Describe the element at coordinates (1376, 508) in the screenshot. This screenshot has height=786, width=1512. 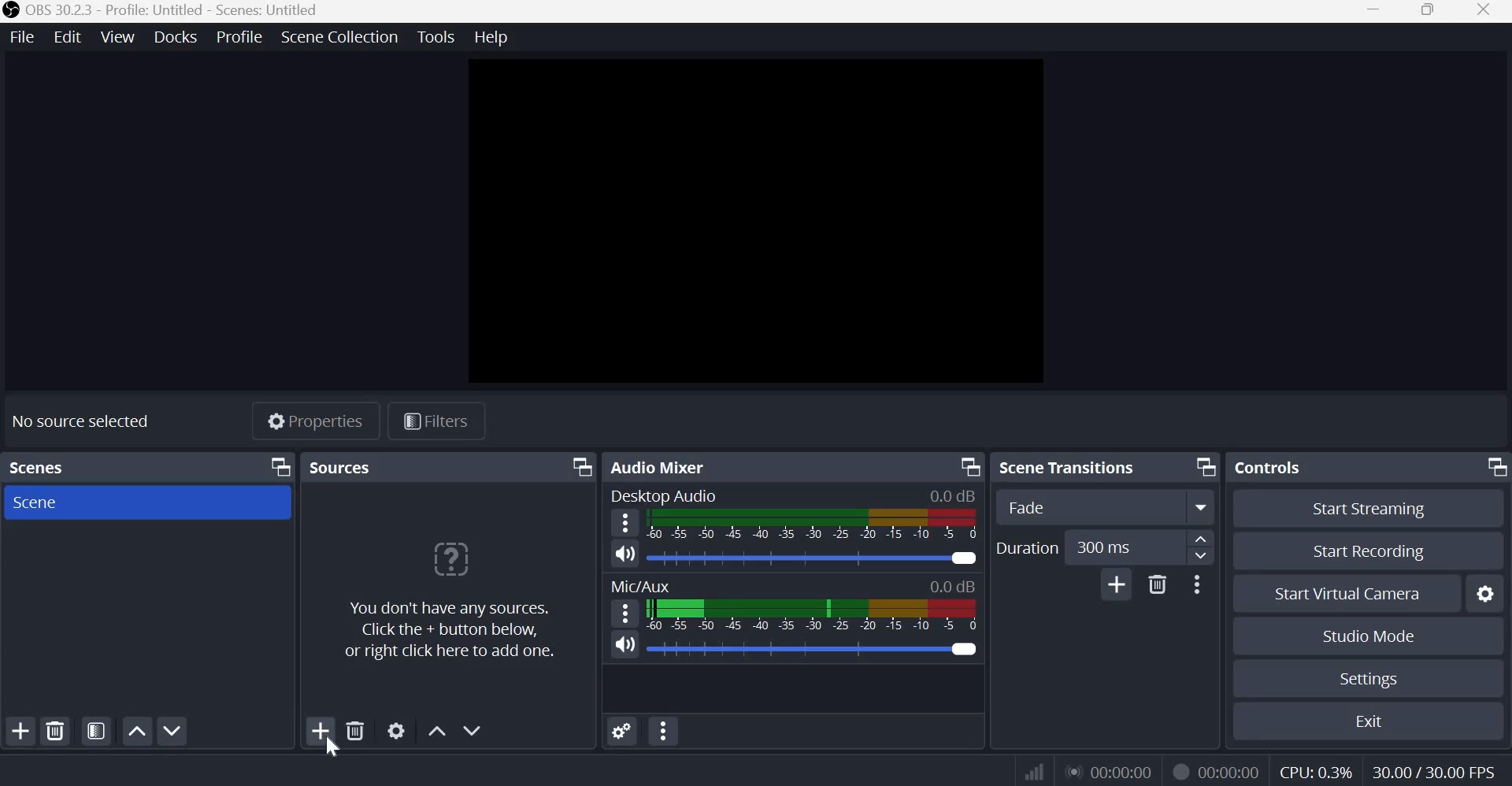
I see `Start streaming` at that location.